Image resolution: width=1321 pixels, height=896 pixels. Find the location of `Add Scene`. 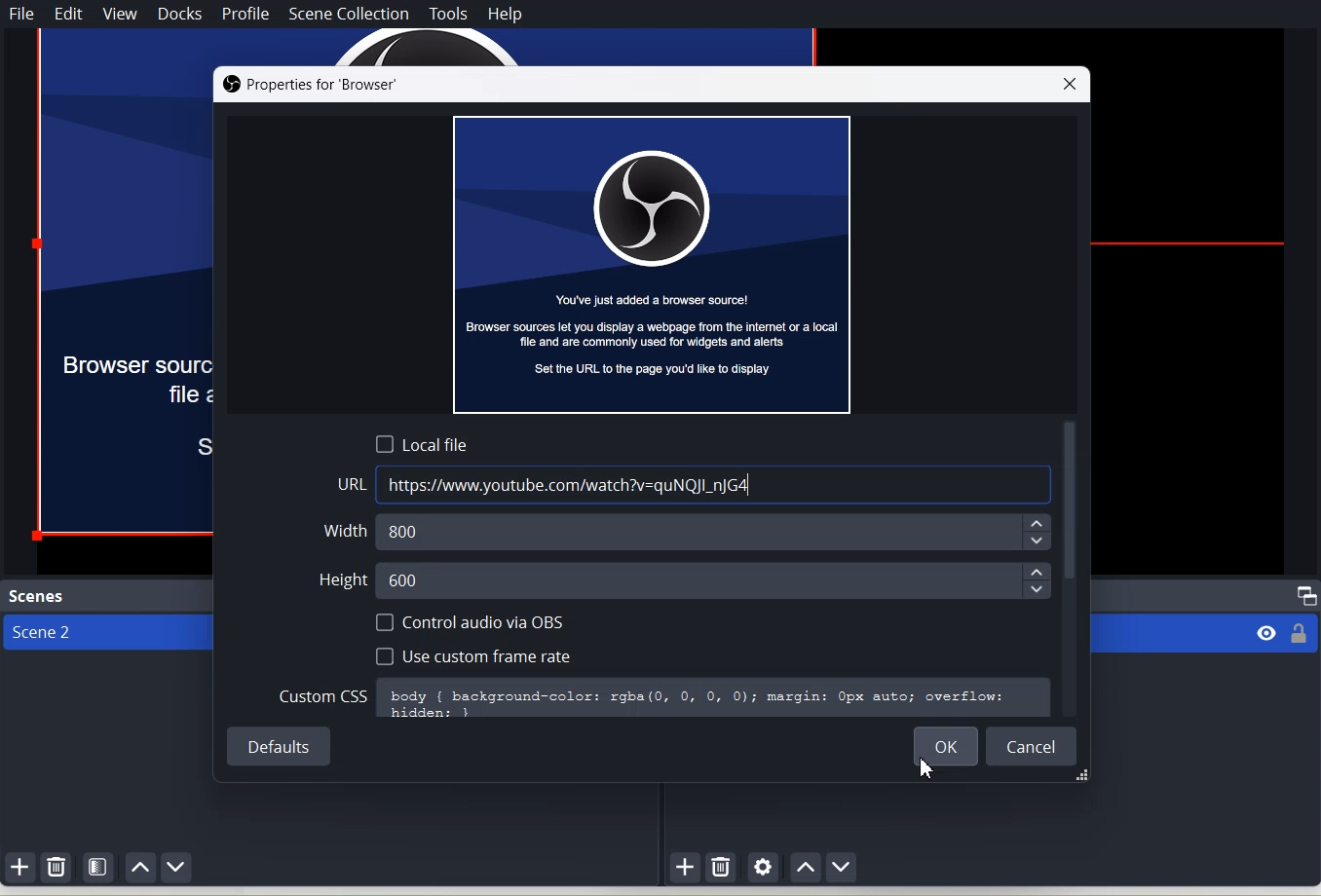

Add Scene is located at coordinates (19, 866).